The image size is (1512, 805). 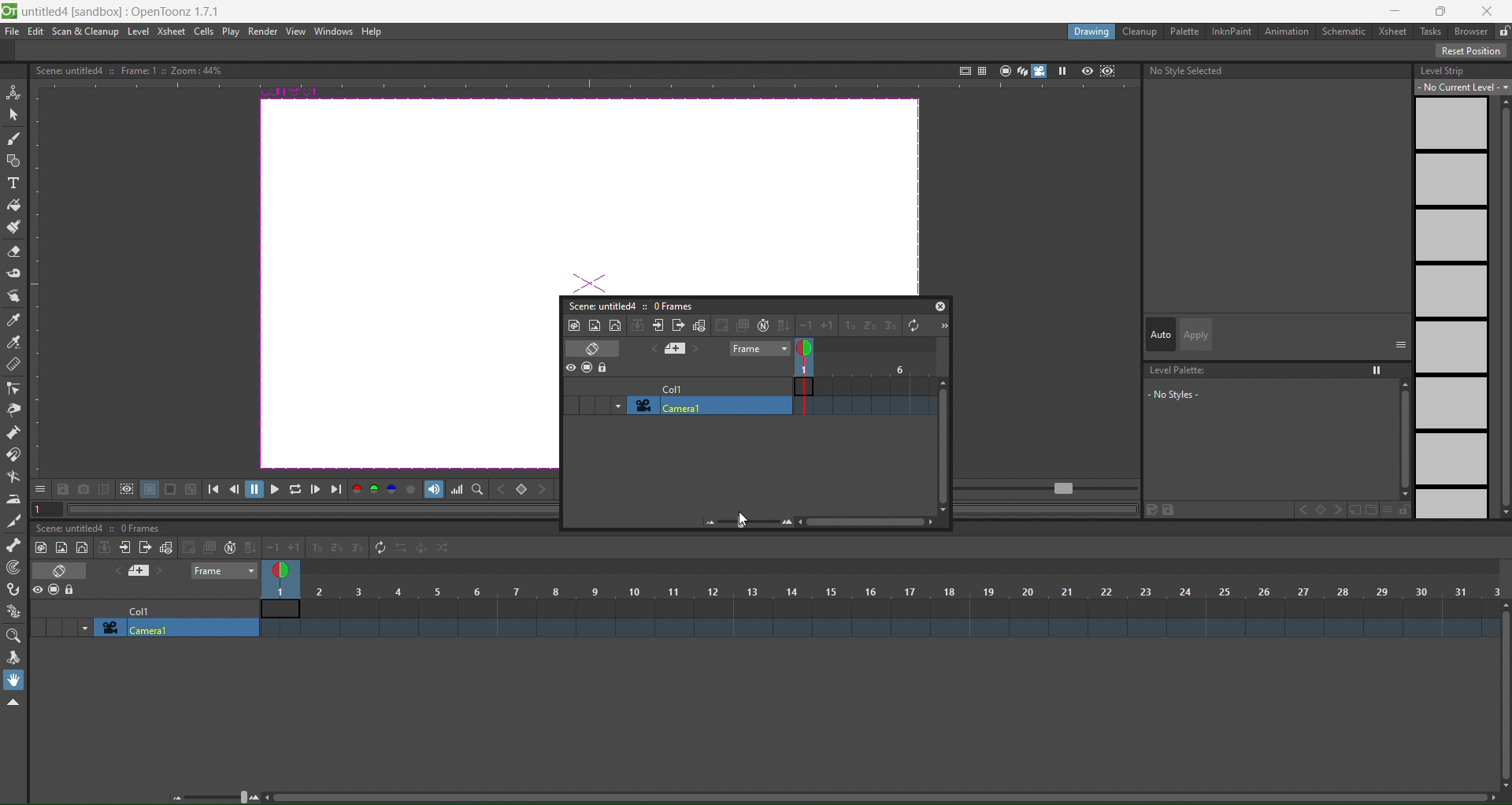 I want to click on untitledd [sandbox] :OpenToonz 1.7.1, so click(x=124, y=11).